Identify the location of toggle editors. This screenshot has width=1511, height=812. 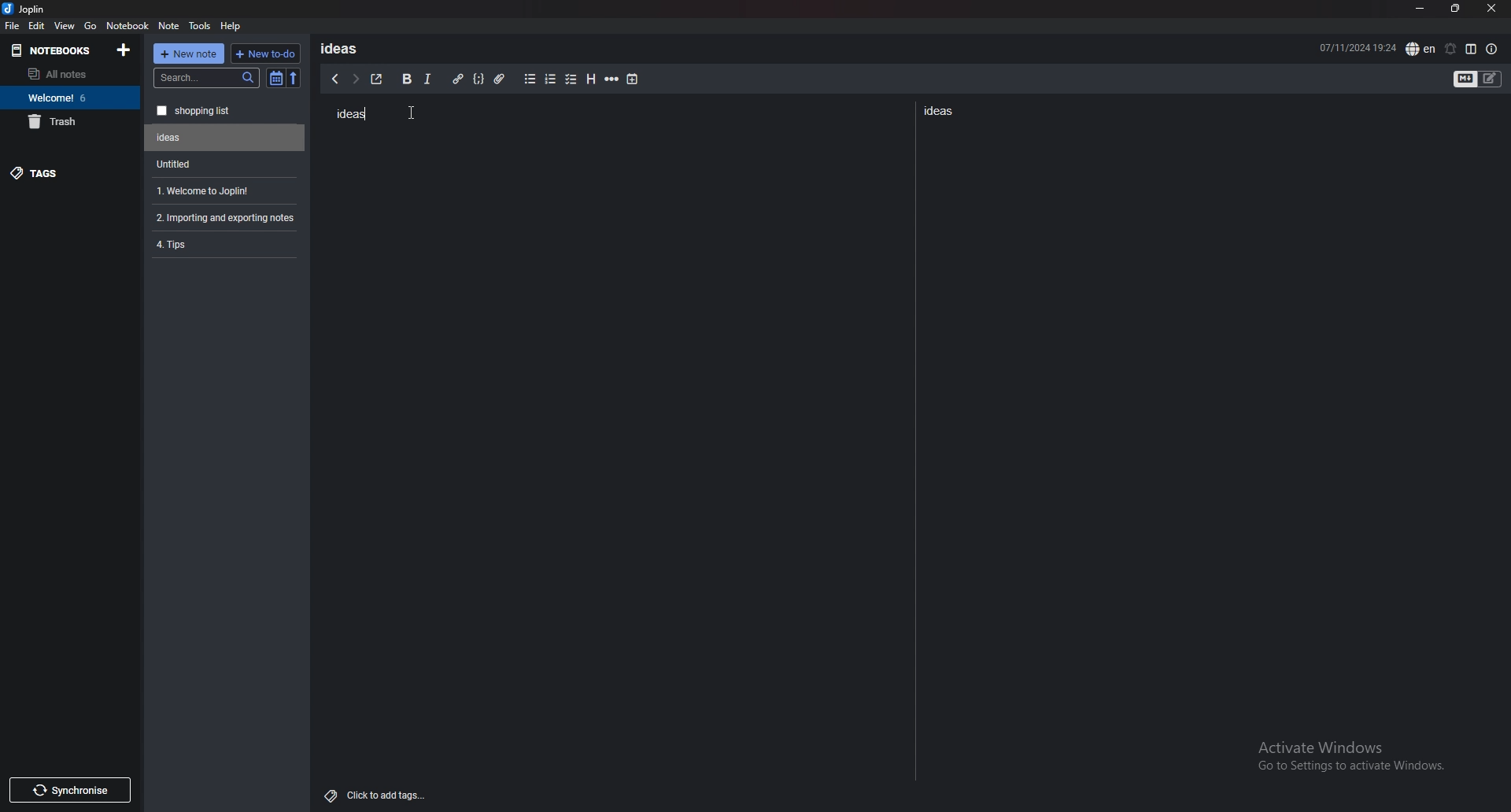
(1478, 80).